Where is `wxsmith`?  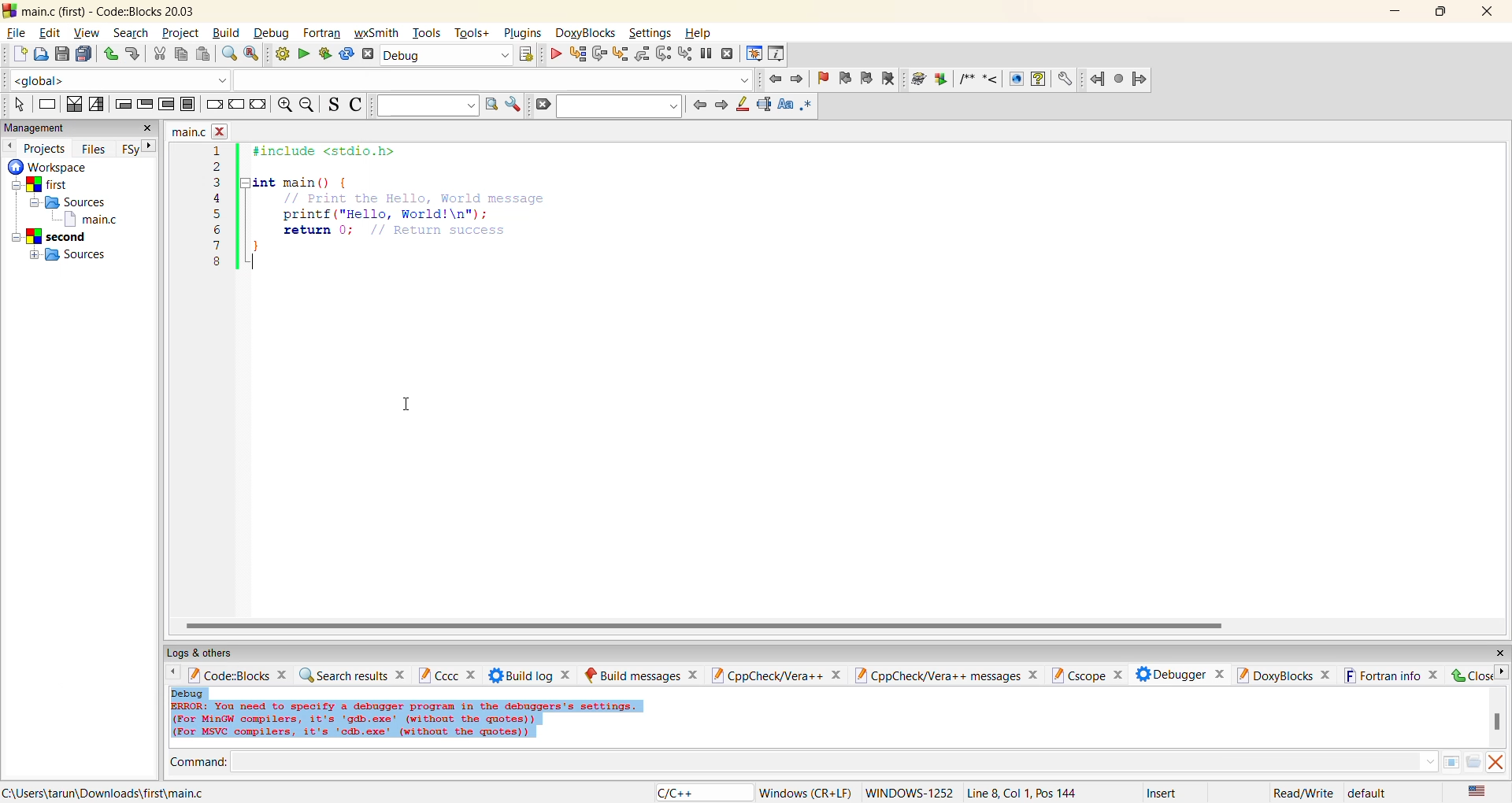
wxsmith is located at coordinates (376, 33).